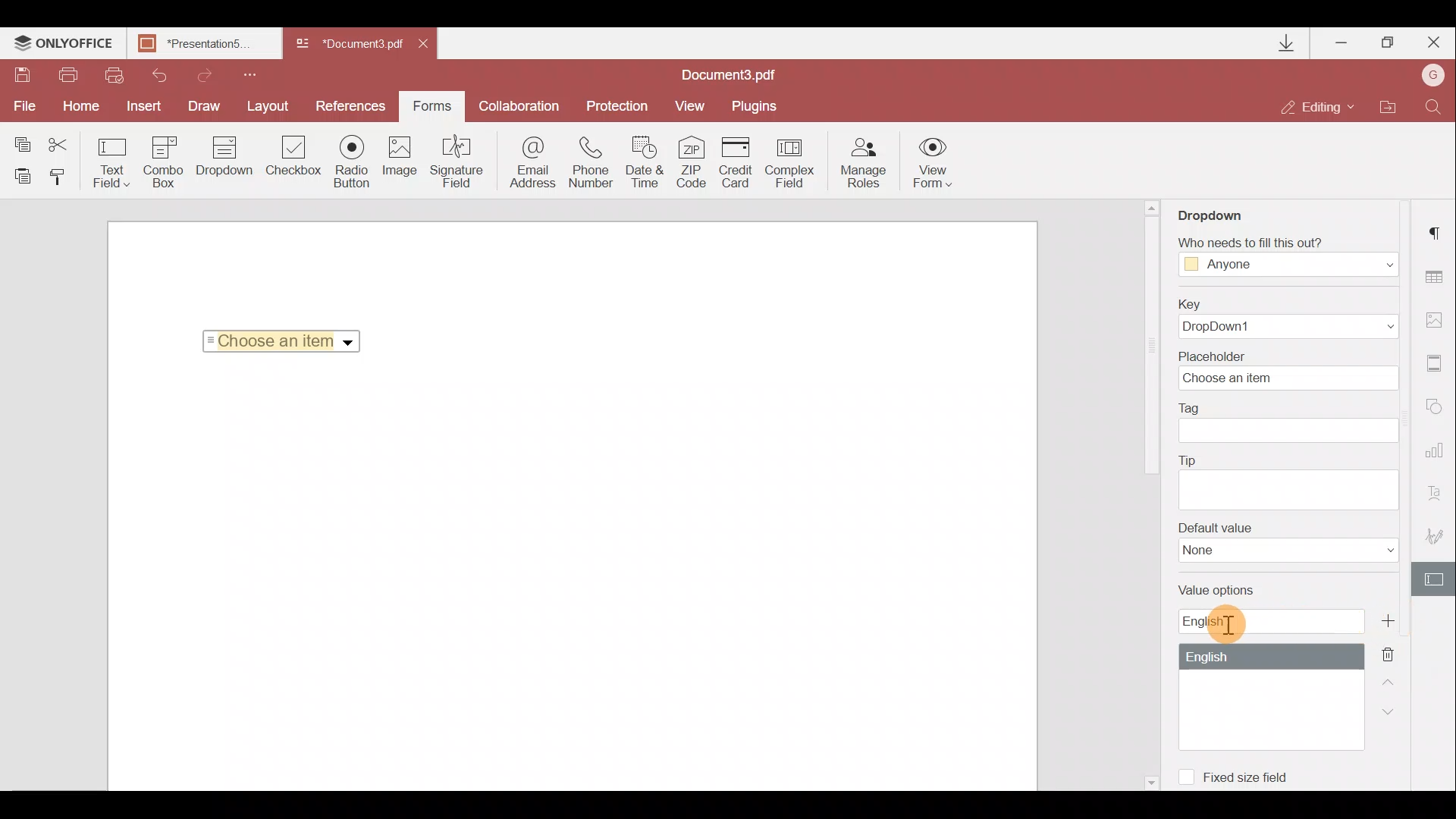 Image resolution: width=1456 pixels, height=819 pixels. Describe the element at coordinates (1437, 457) in the screenshot. I see `Chart settings` at that location.